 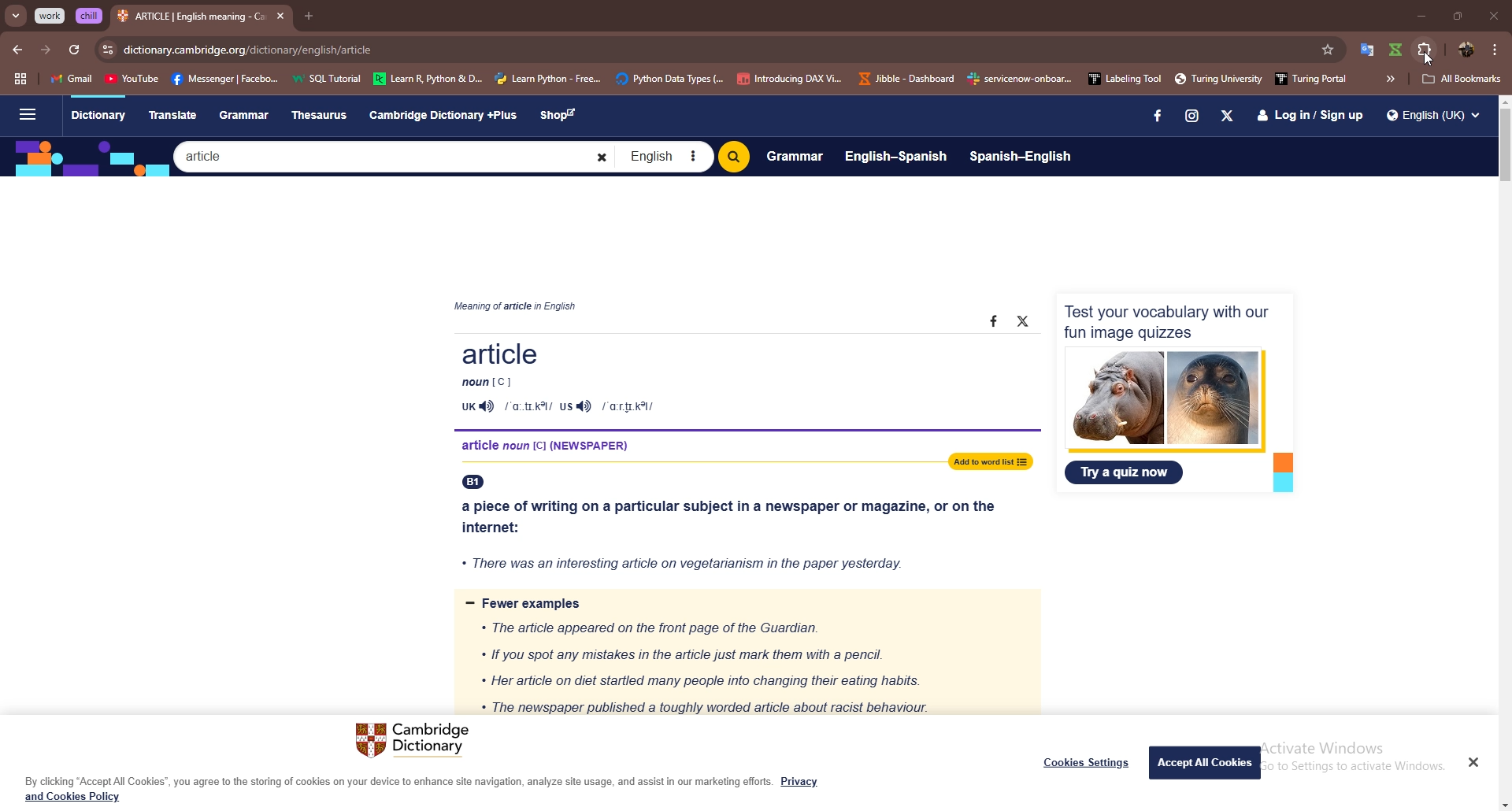 I want to click on favorites, so click(x=1329, y=50).